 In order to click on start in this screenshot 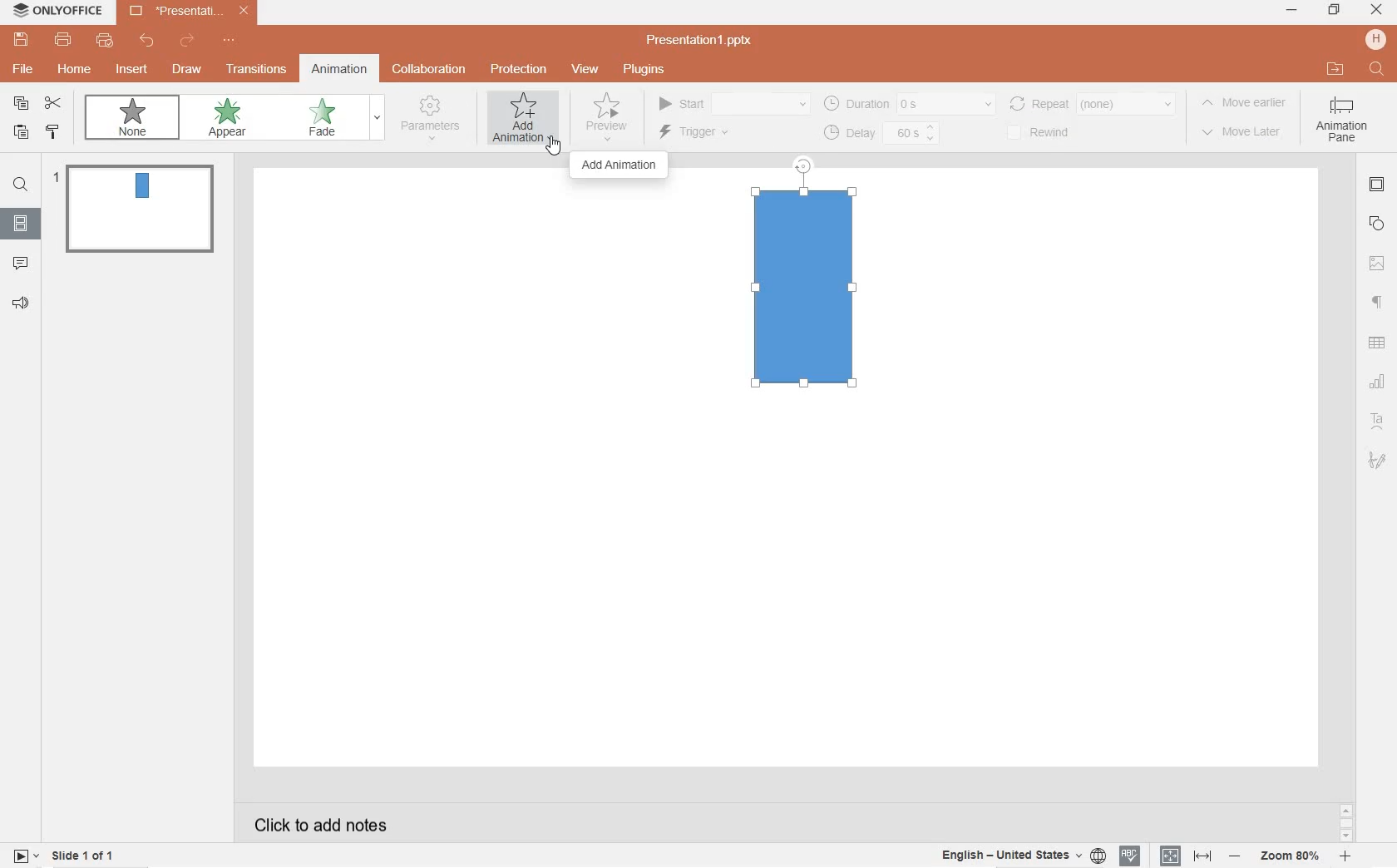, I will do `click(733, 101)`.